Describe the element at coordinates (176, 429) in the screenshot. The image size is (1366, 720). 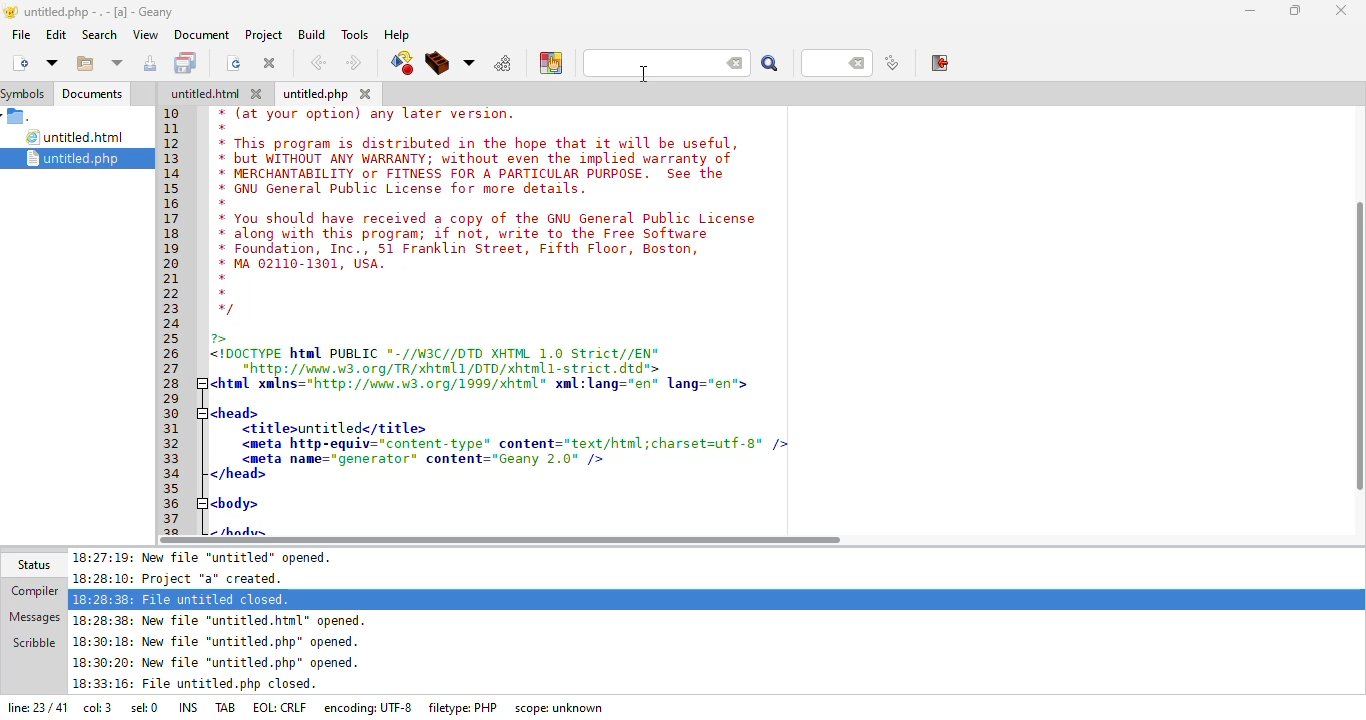
I see `31` at that location.